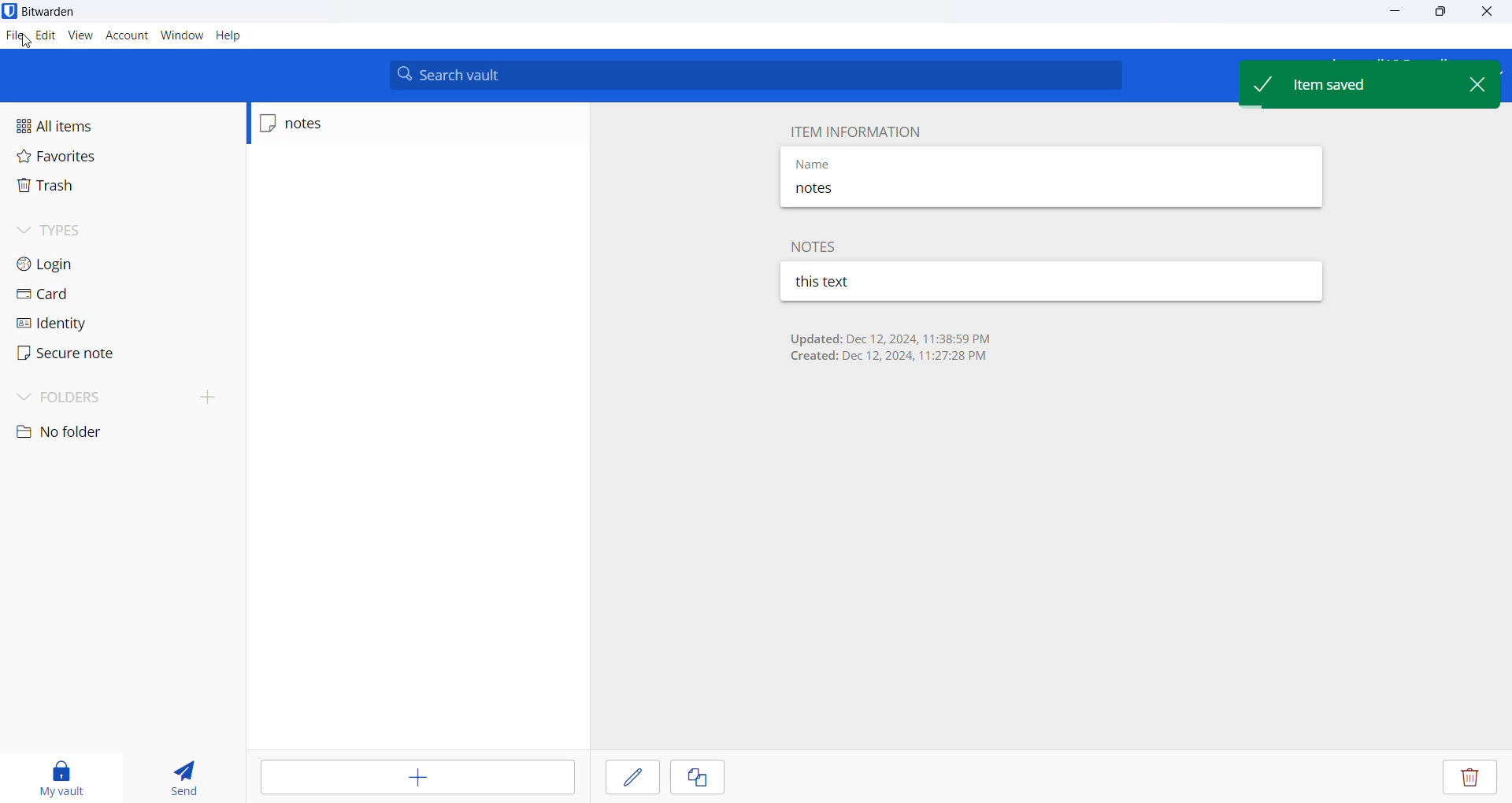 This screenshot has width=1512, height=803. I want to click on types, so click(72, 230).